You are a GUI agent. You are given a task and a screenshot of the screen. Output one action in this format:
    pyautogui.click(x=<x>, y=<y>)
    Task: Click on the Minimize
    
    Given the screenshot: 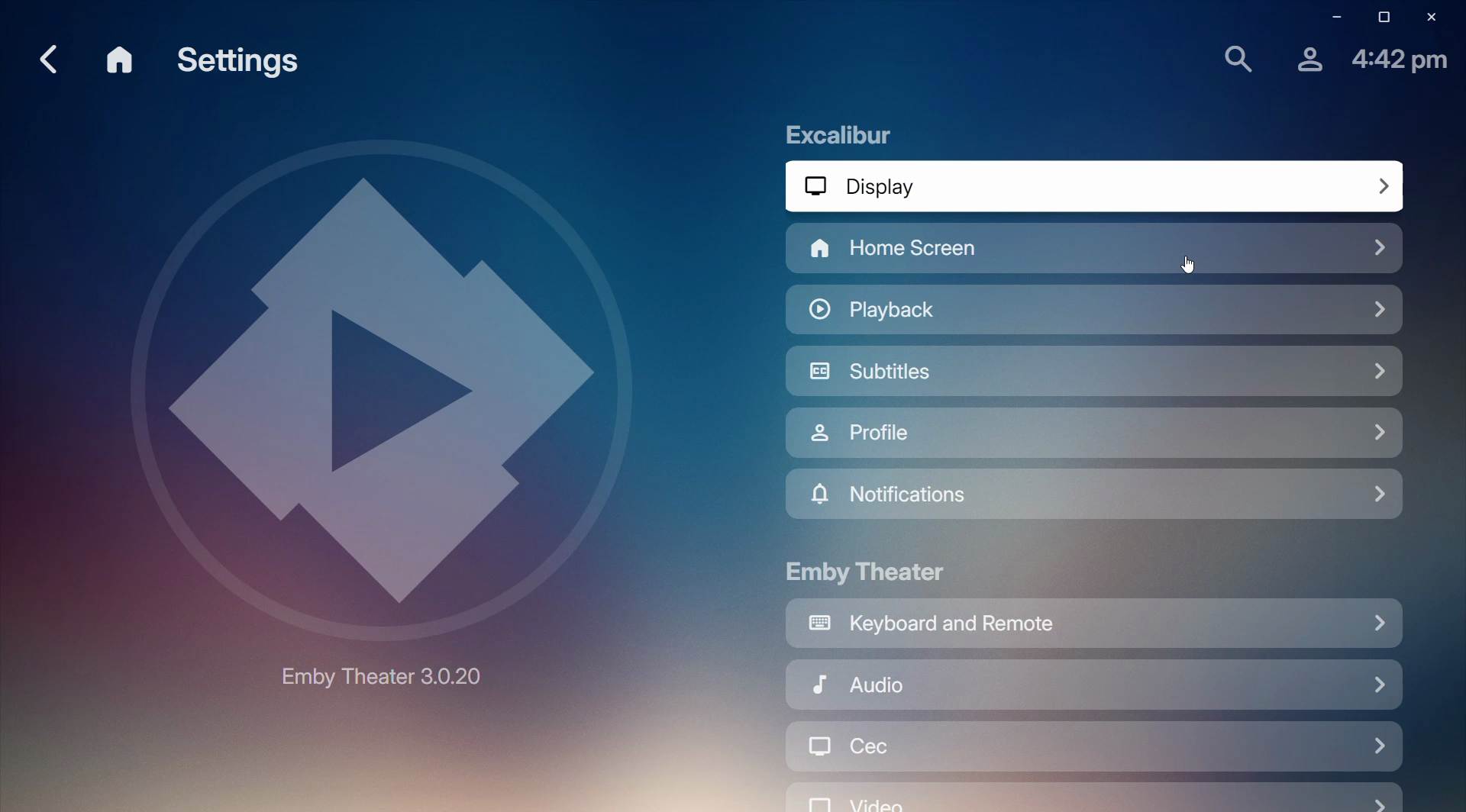 What is the action you would take?
    pyautogui.click(x=1331, y=19)
    